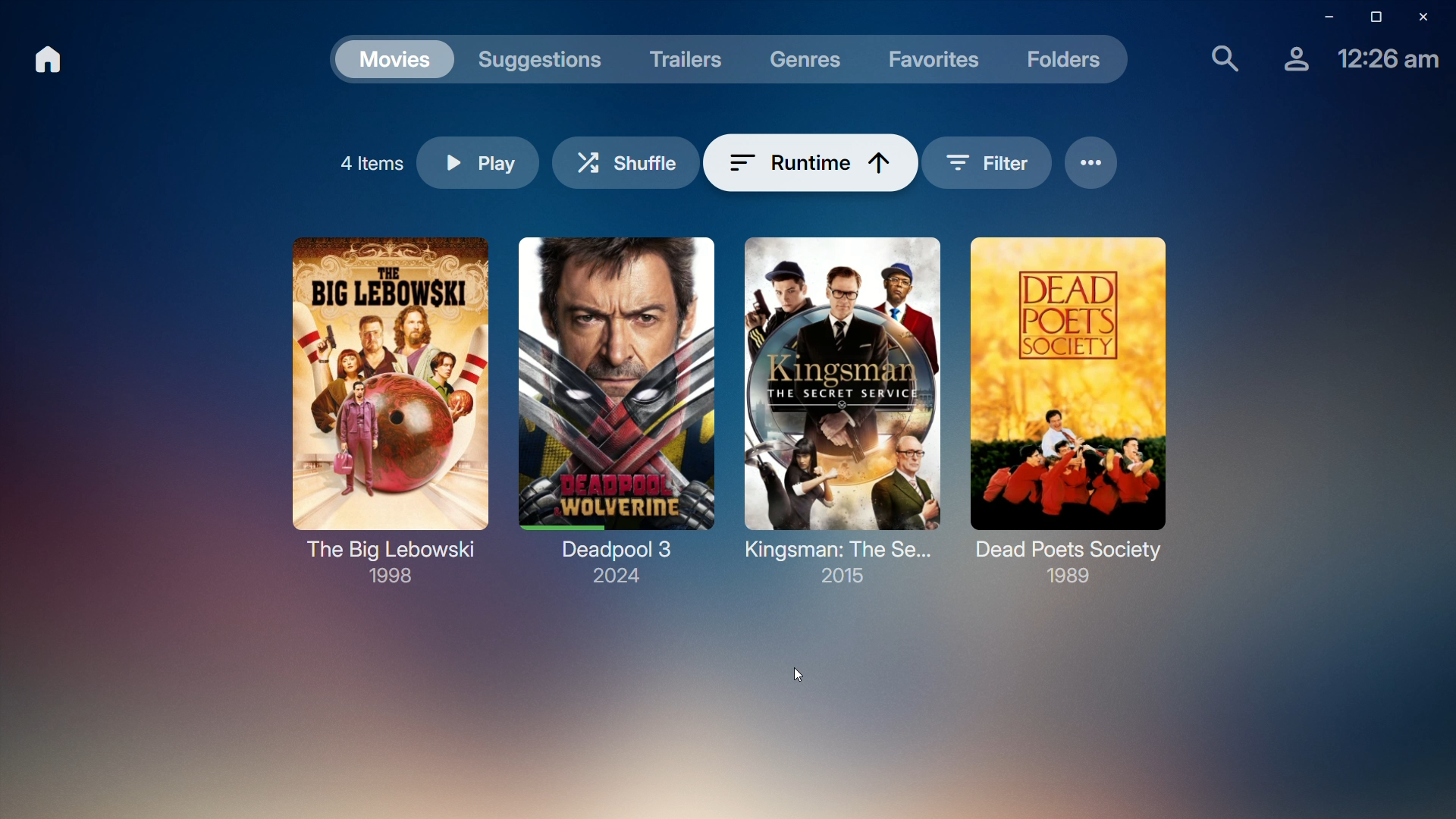 This screenshot has width=1456, height=819. Describe the element at coordinates (1216, 61) in the screenshot. I see `Find` at that location.